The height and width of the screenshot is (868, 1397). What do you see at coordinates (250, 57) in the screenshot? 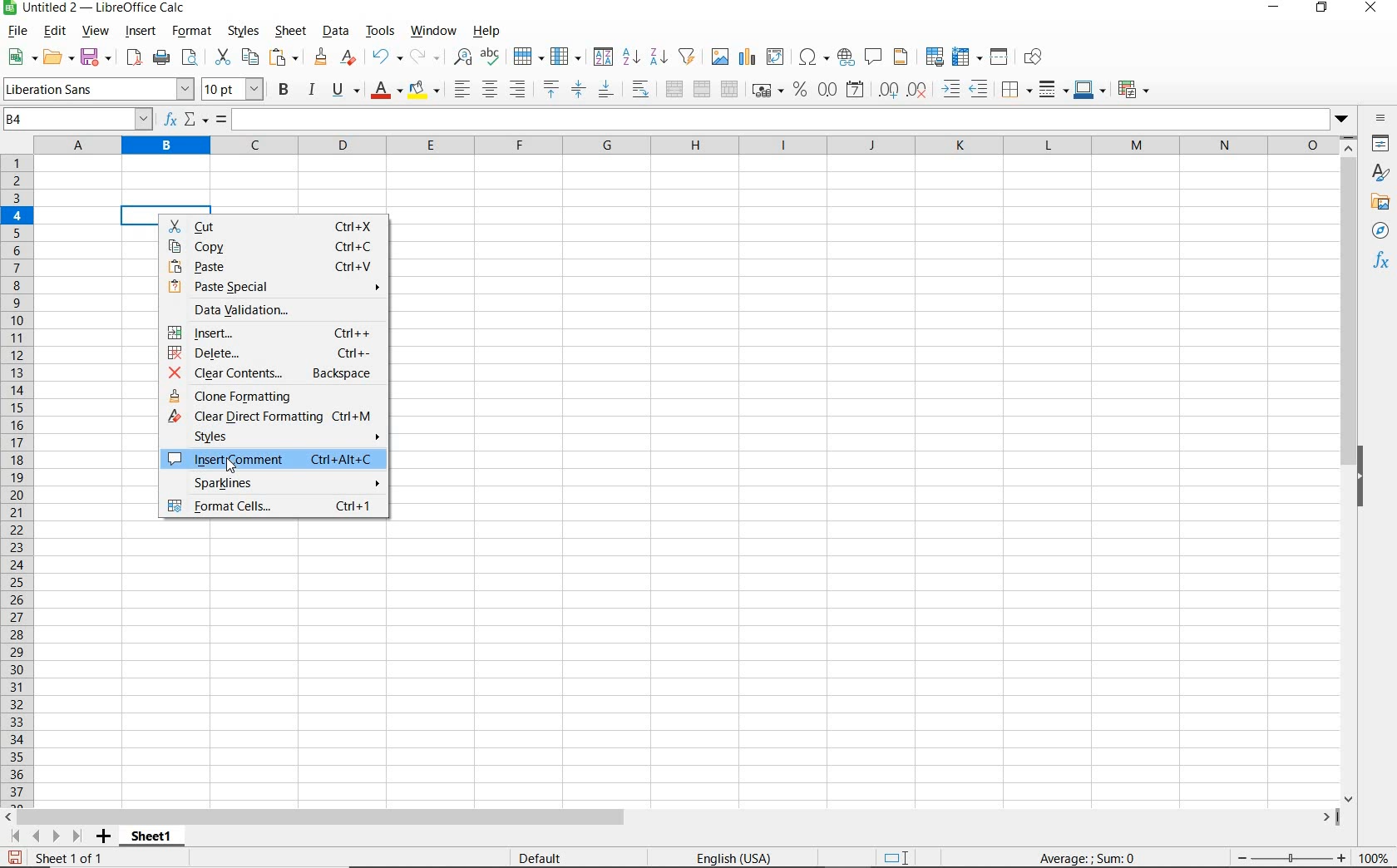
I see `copy` at bounding box center [250, 57].